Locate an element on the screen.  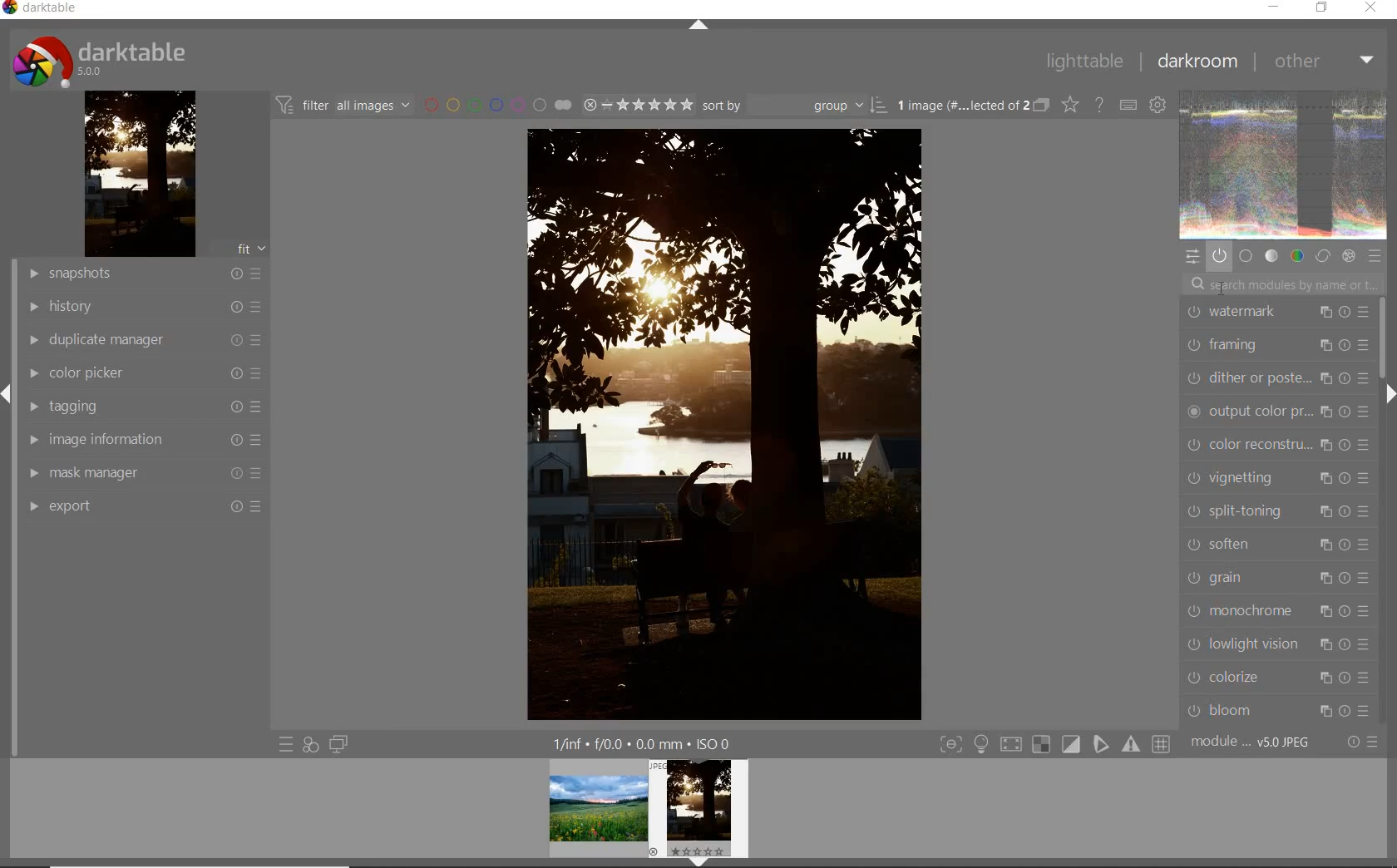
effect is located at coordinates (1348, 256).